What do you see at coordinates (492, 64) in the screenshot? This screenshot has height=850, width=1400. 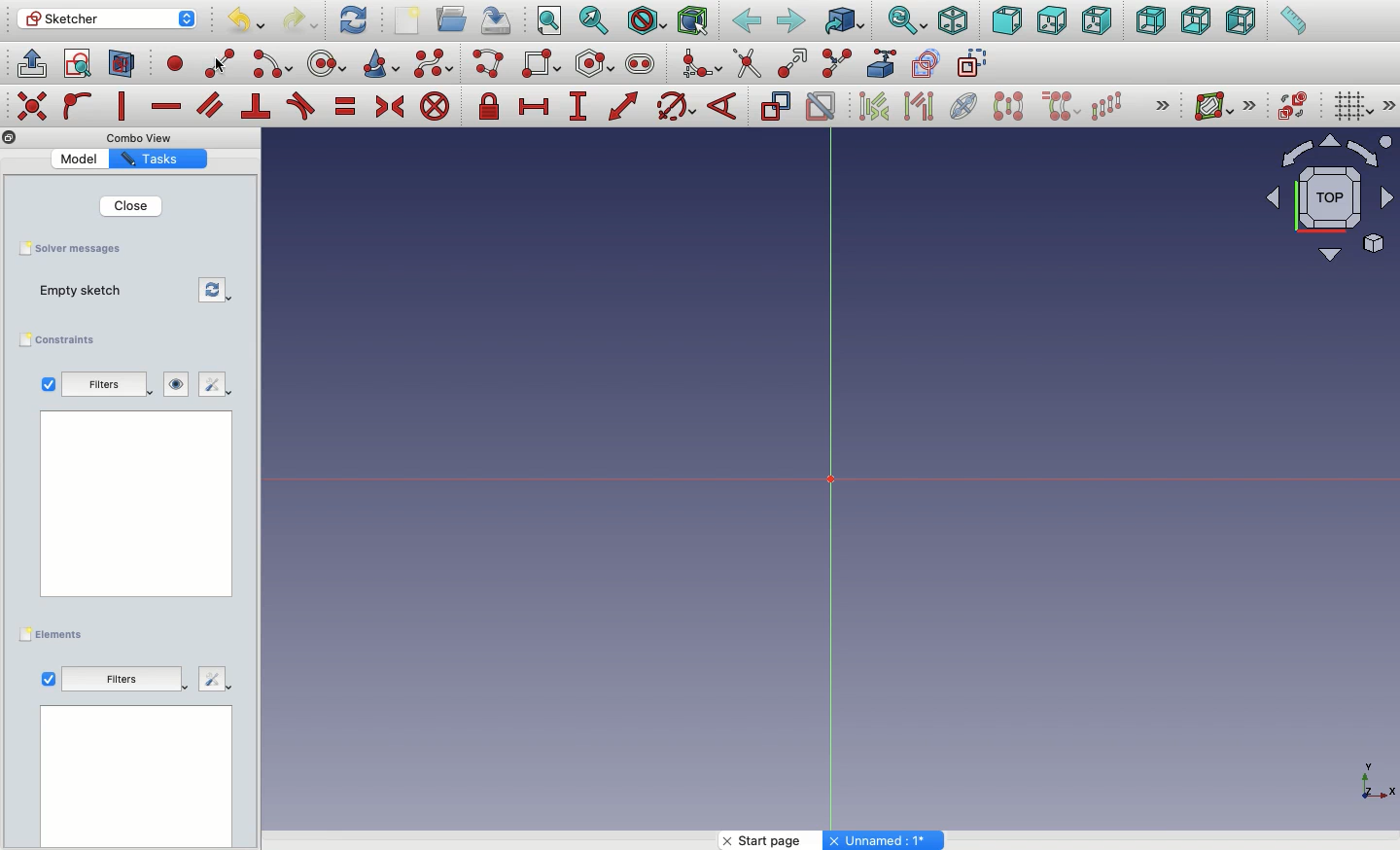 I see `Polyline` at bounding box center [492, 64].